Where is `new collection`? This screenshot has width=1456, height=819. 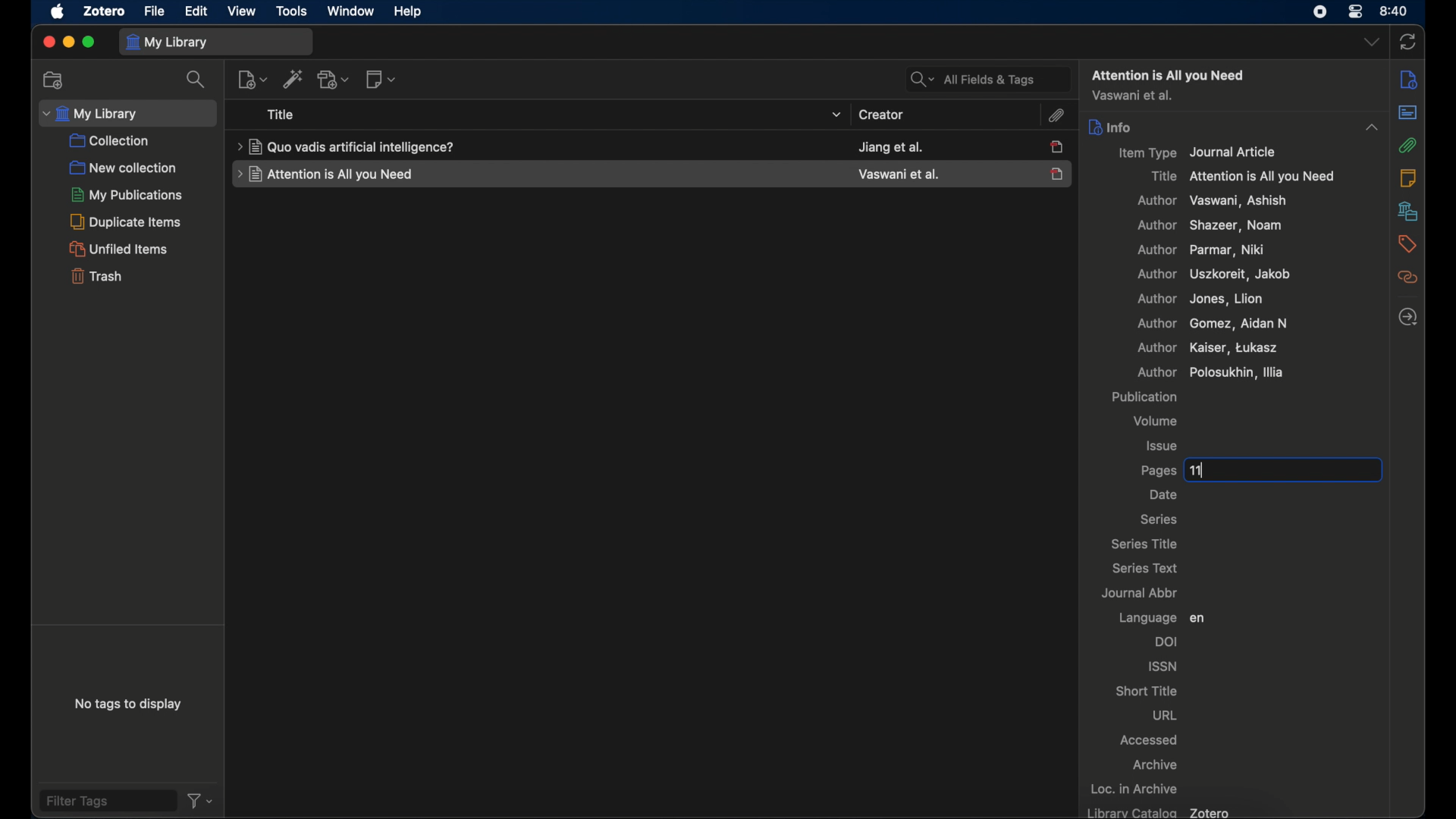 new collection is located at coordinates (123, 168).